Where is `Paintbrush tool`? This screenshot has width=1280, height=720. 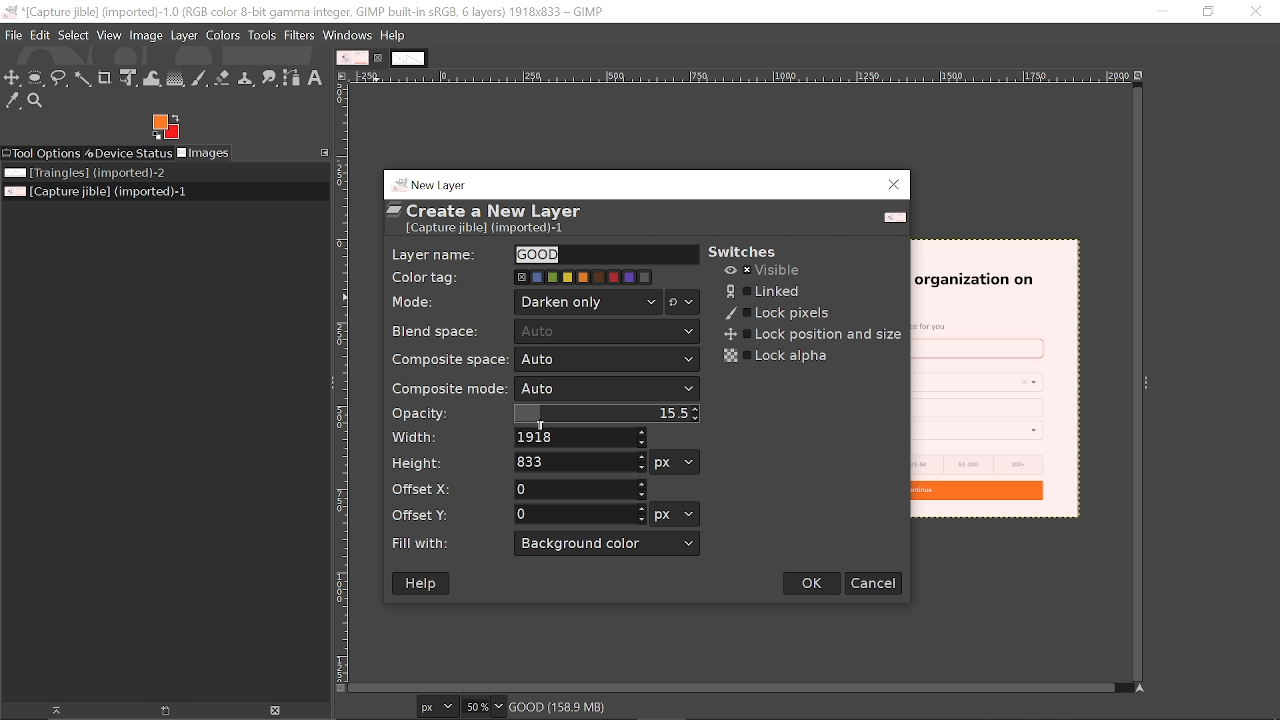 Paintbrush tool is located at coordinates (199, 79).